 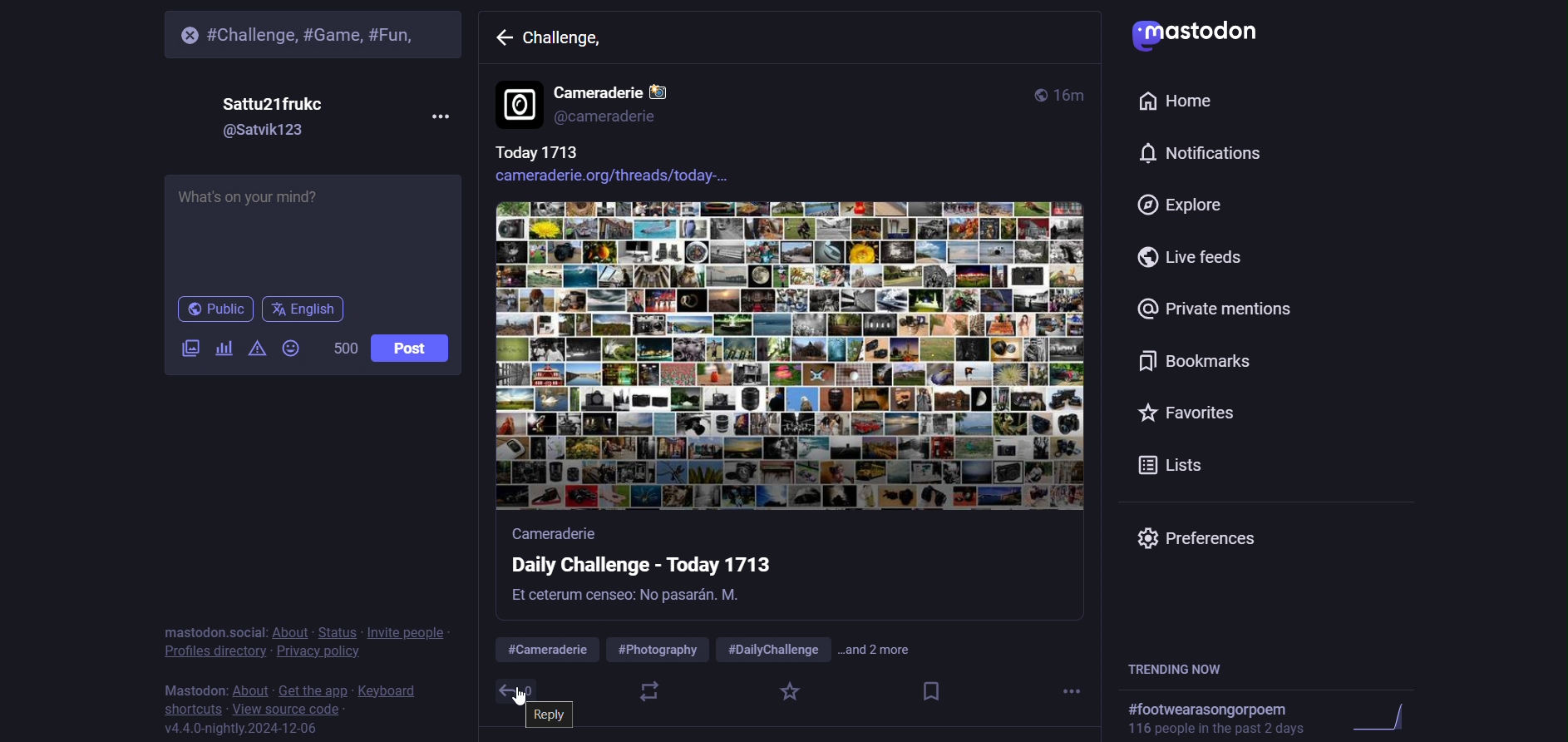 What do you see at coordinates (736, 572) in the screenshot?
I see `Cameraderie
Daily Challenge - Today 1713
Et ceterum censeo: No pasaran. M.` at bounding box center [736, 572].